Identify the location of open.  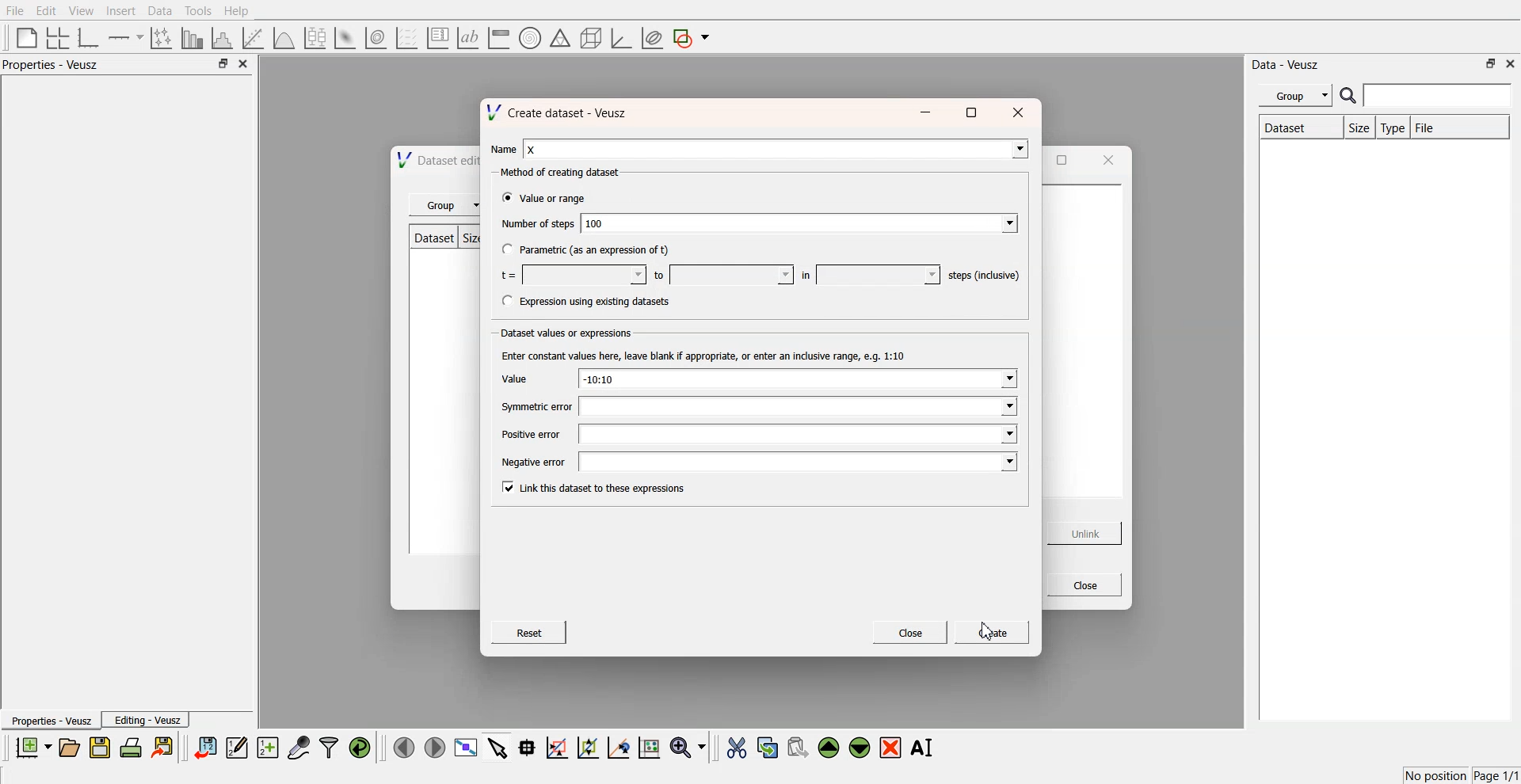
(69, 748).